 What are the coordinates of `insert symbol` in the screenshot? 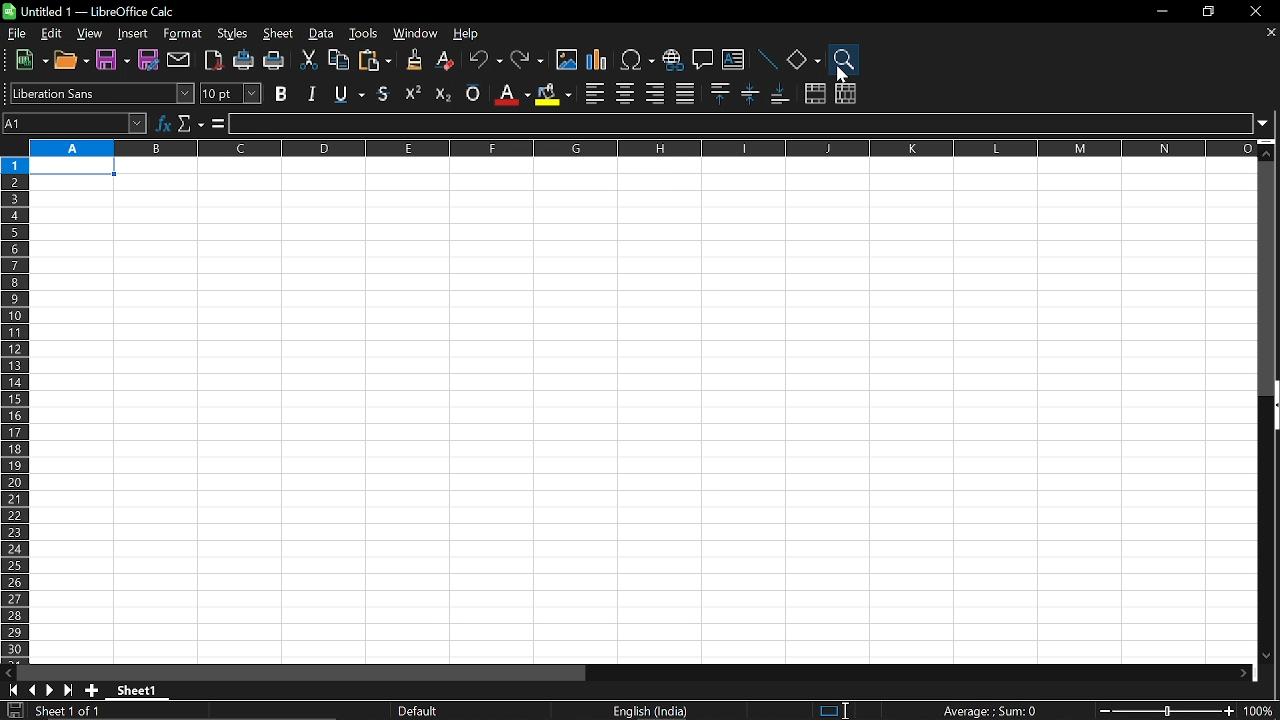 It's located at (637, 60).